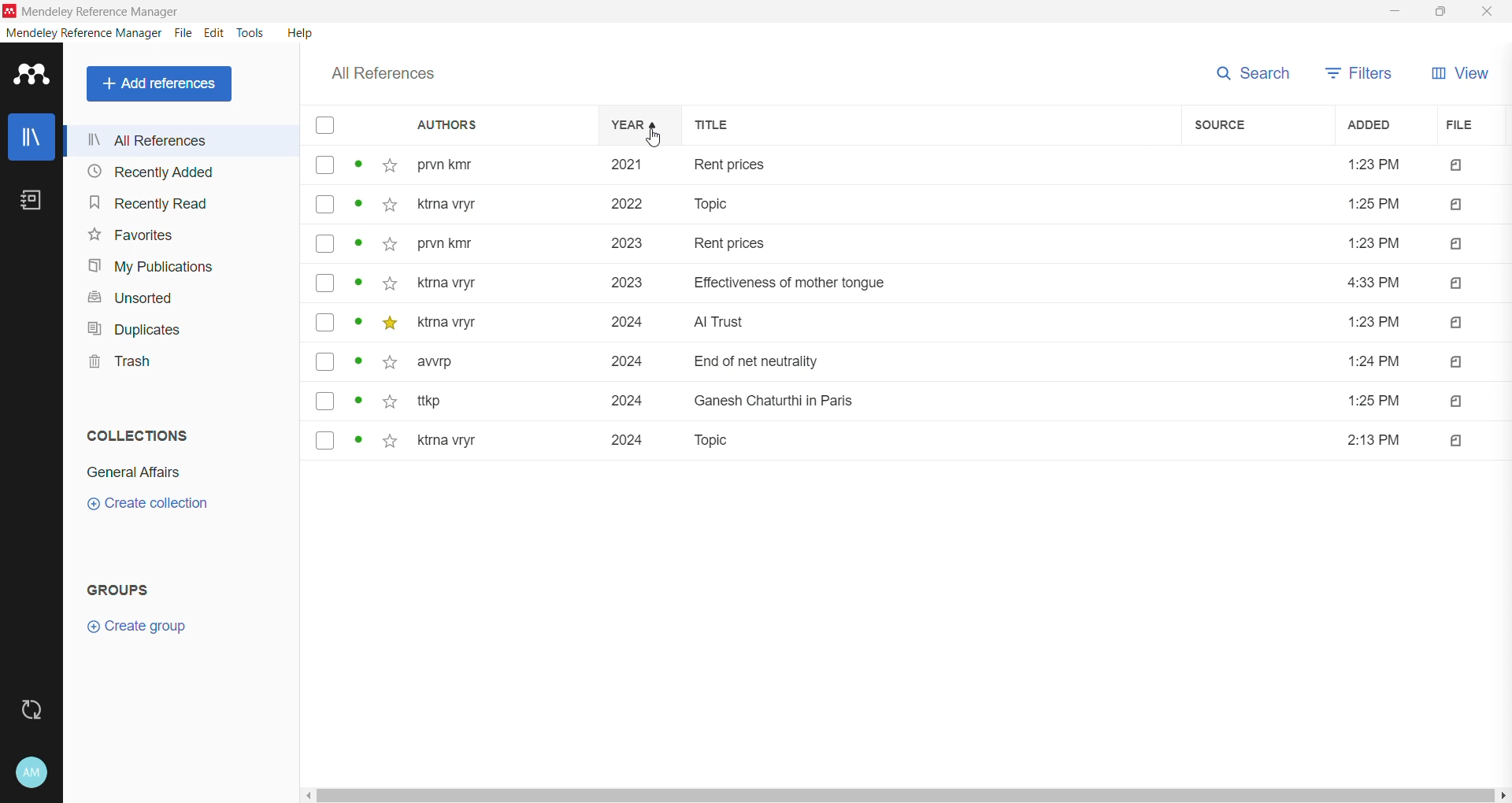 The image size is (1512, 803). What do you see at coordinates (358, 164) in the screenshot?
I see `unread` at bounding box center [358, 164].